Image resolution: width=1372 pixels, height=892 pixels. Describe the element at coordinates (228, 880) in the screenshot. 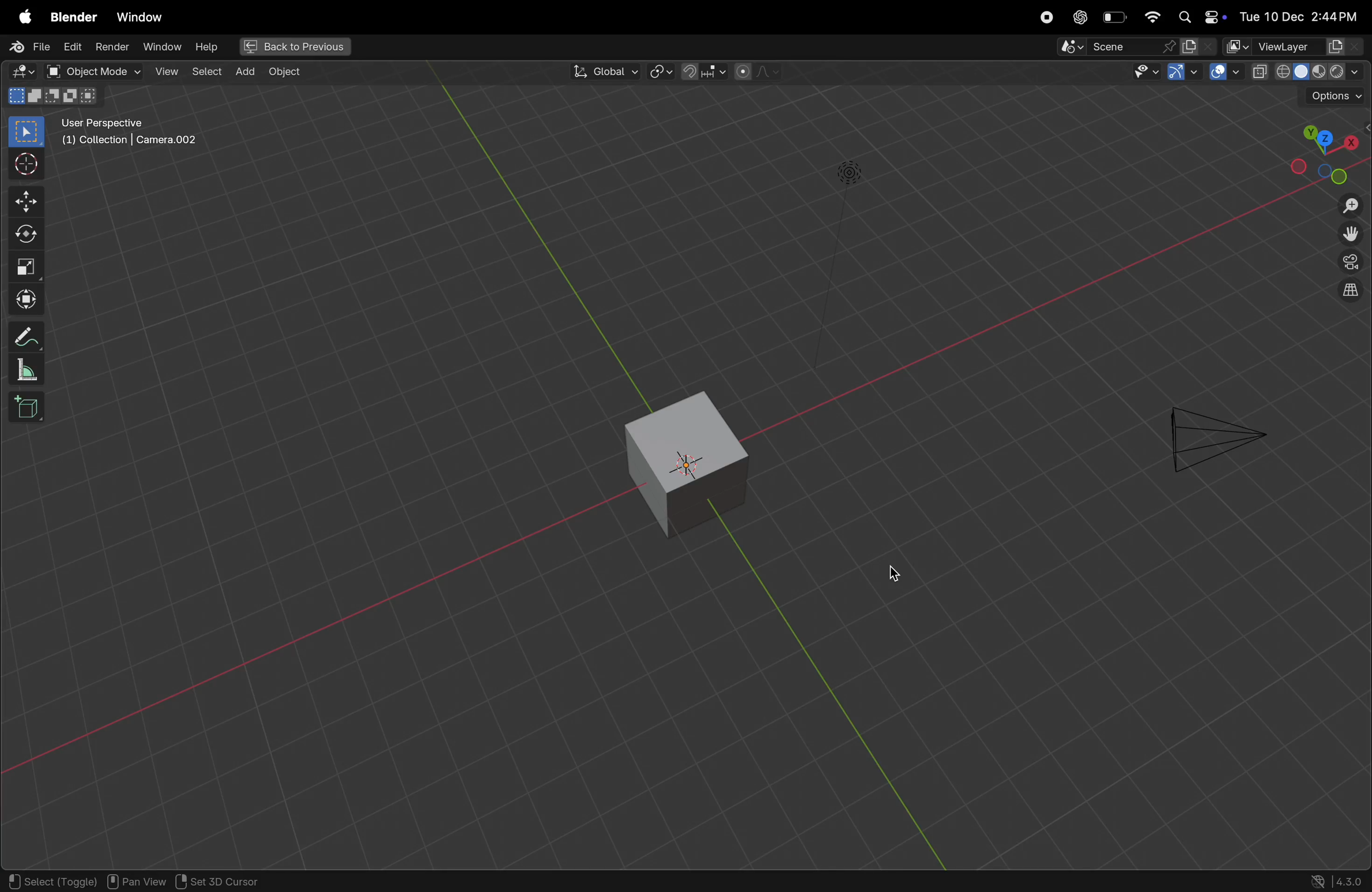

I see `3D cursor` at that location.